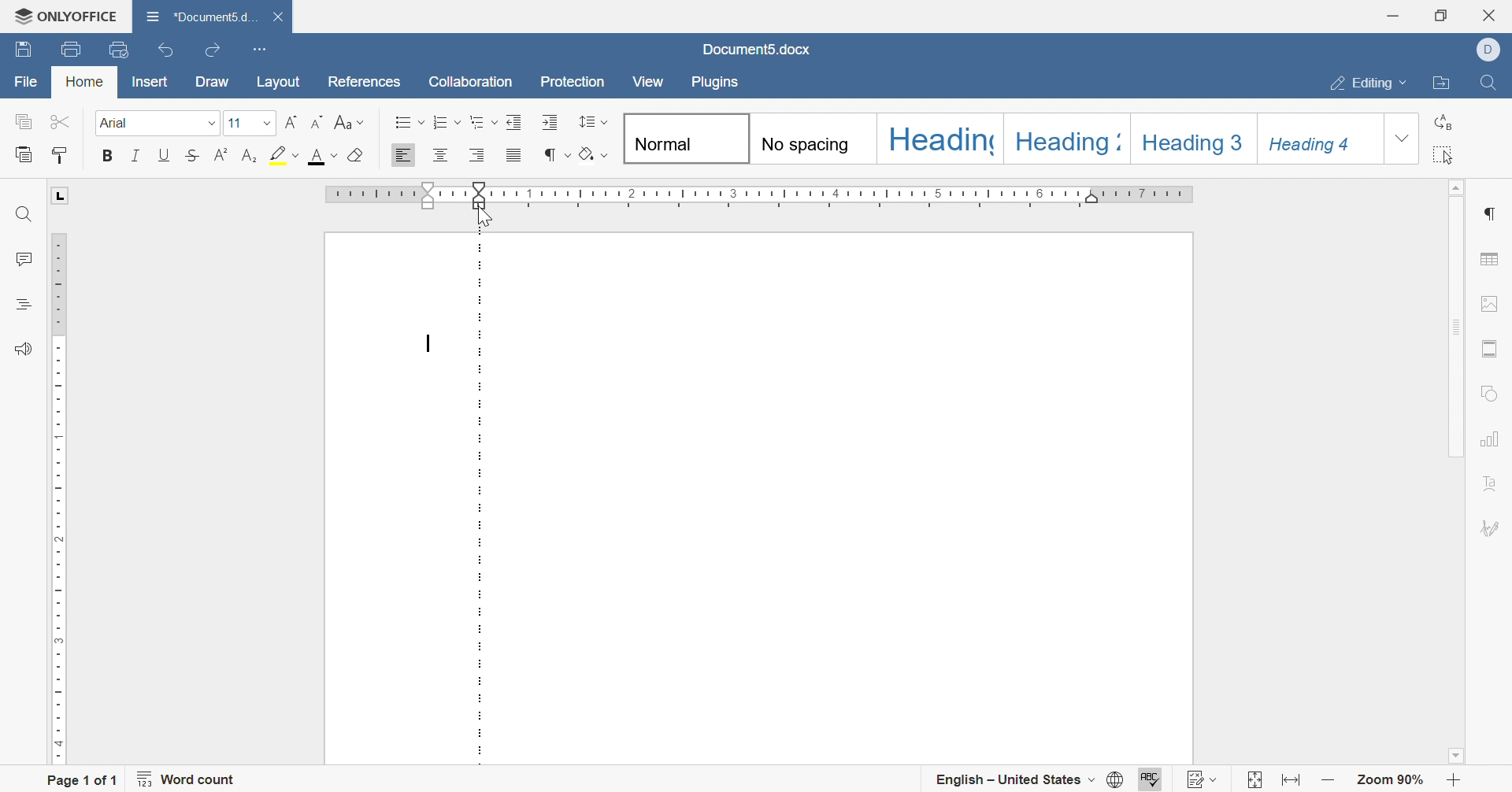  Describe the element at coordinates (1327, 779) in the screenshot. I see `zoom out` at that location.